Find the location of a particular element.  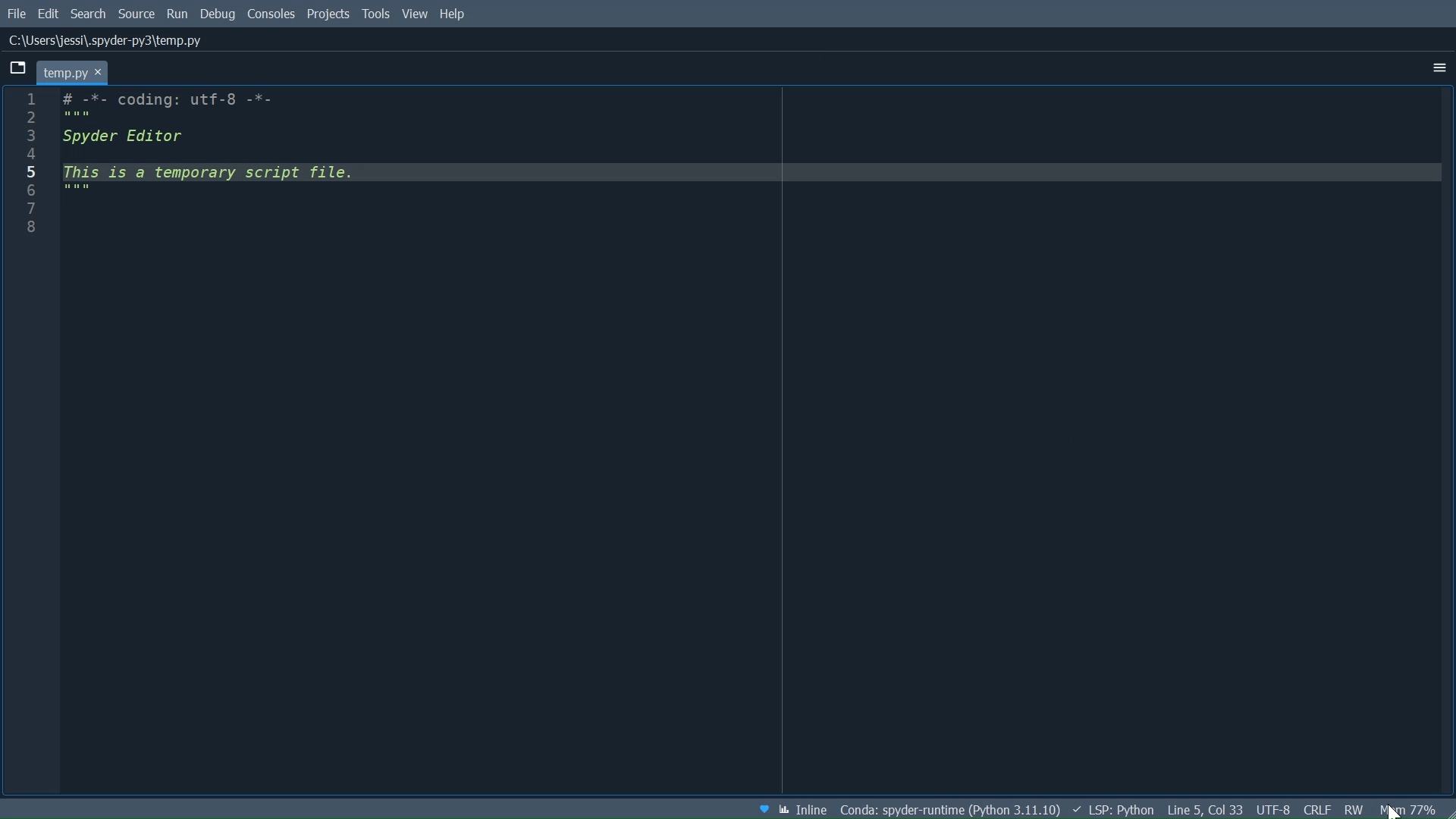

Tools is located at coordinates (377, 16).